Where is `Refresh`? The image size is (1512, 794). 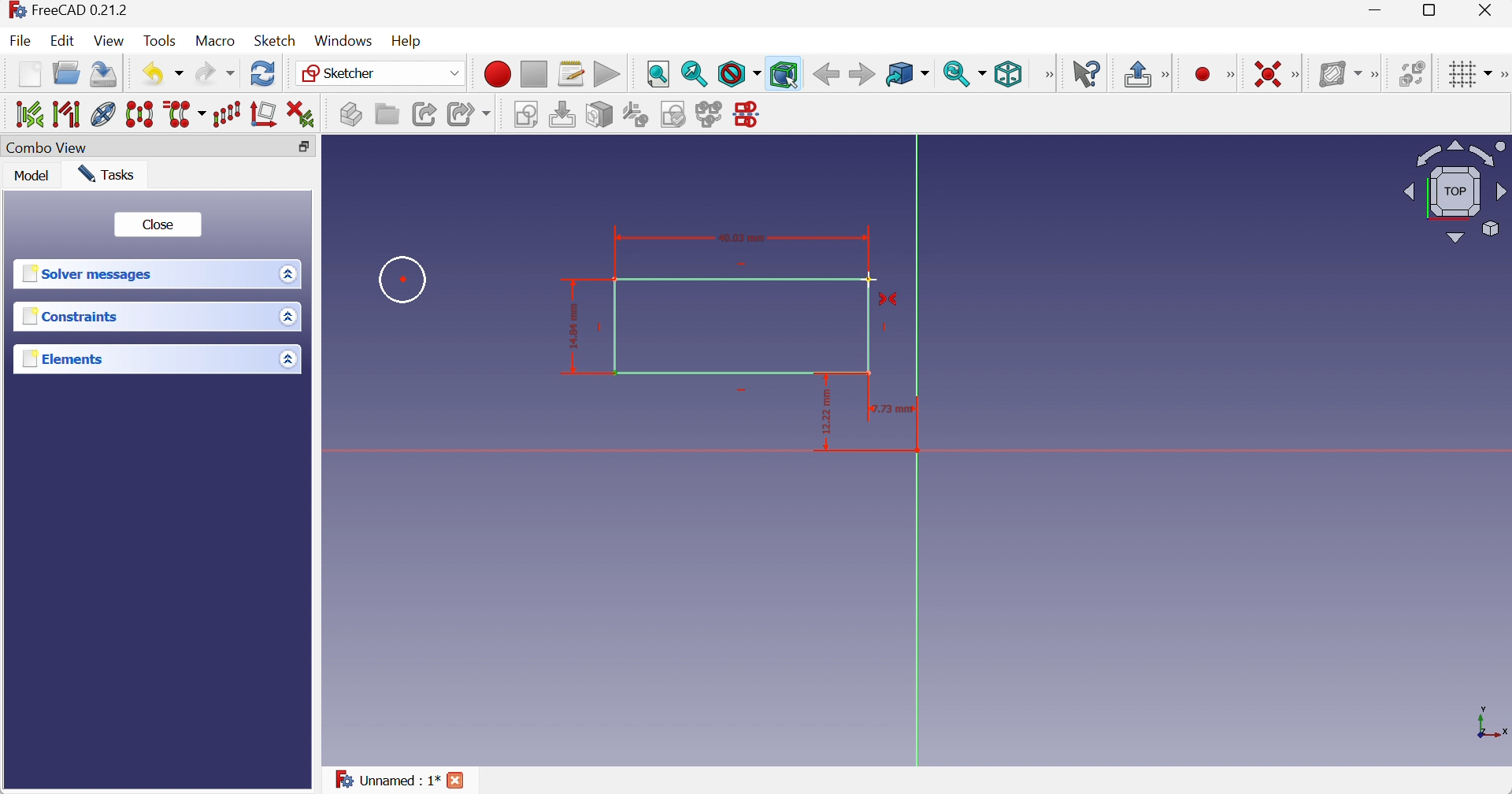
Refresh is located at coordinates (264, 72).